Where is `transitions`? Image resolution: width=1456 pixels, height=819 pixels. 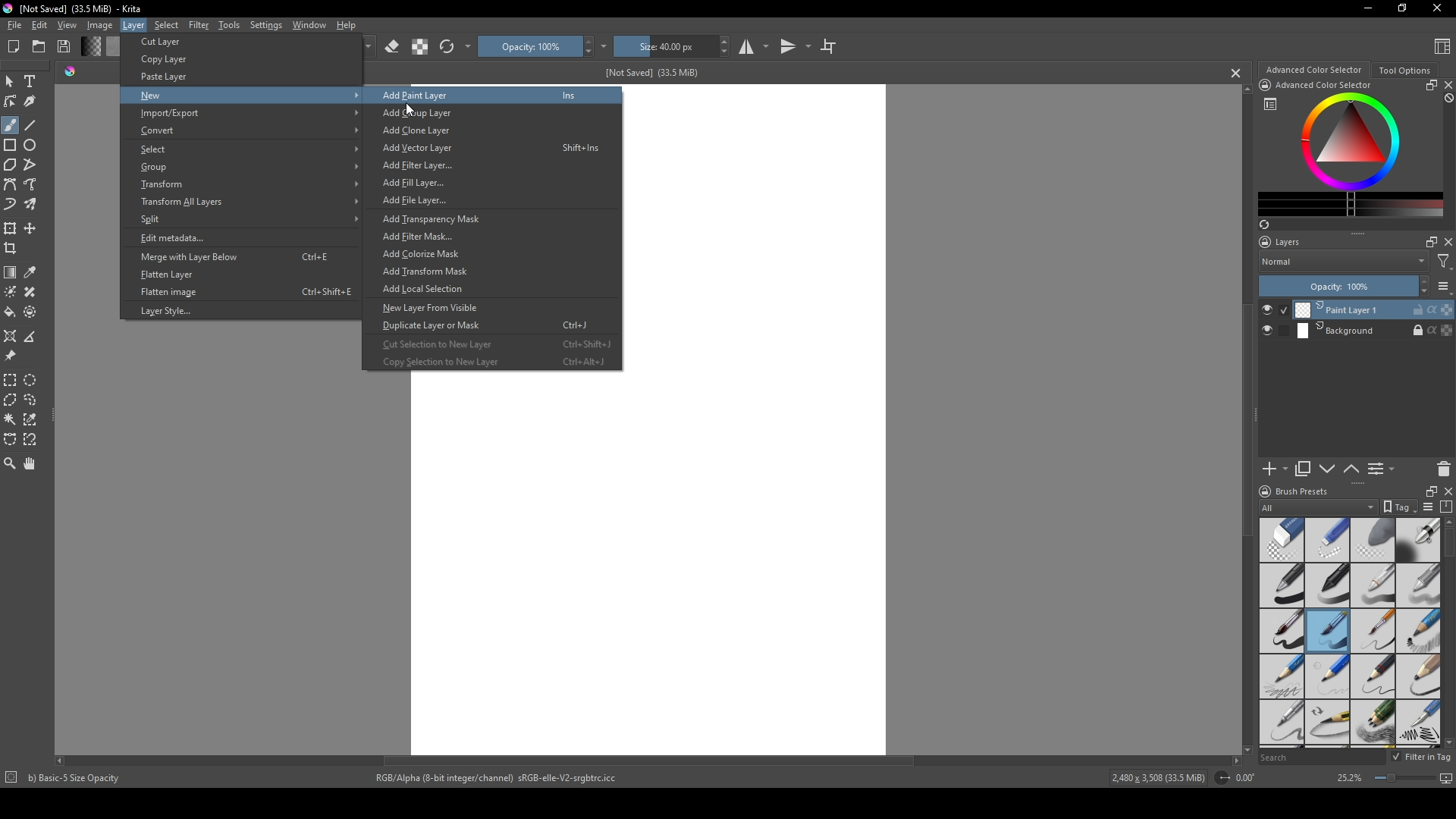
transitions is located at coordinates (795, 47).